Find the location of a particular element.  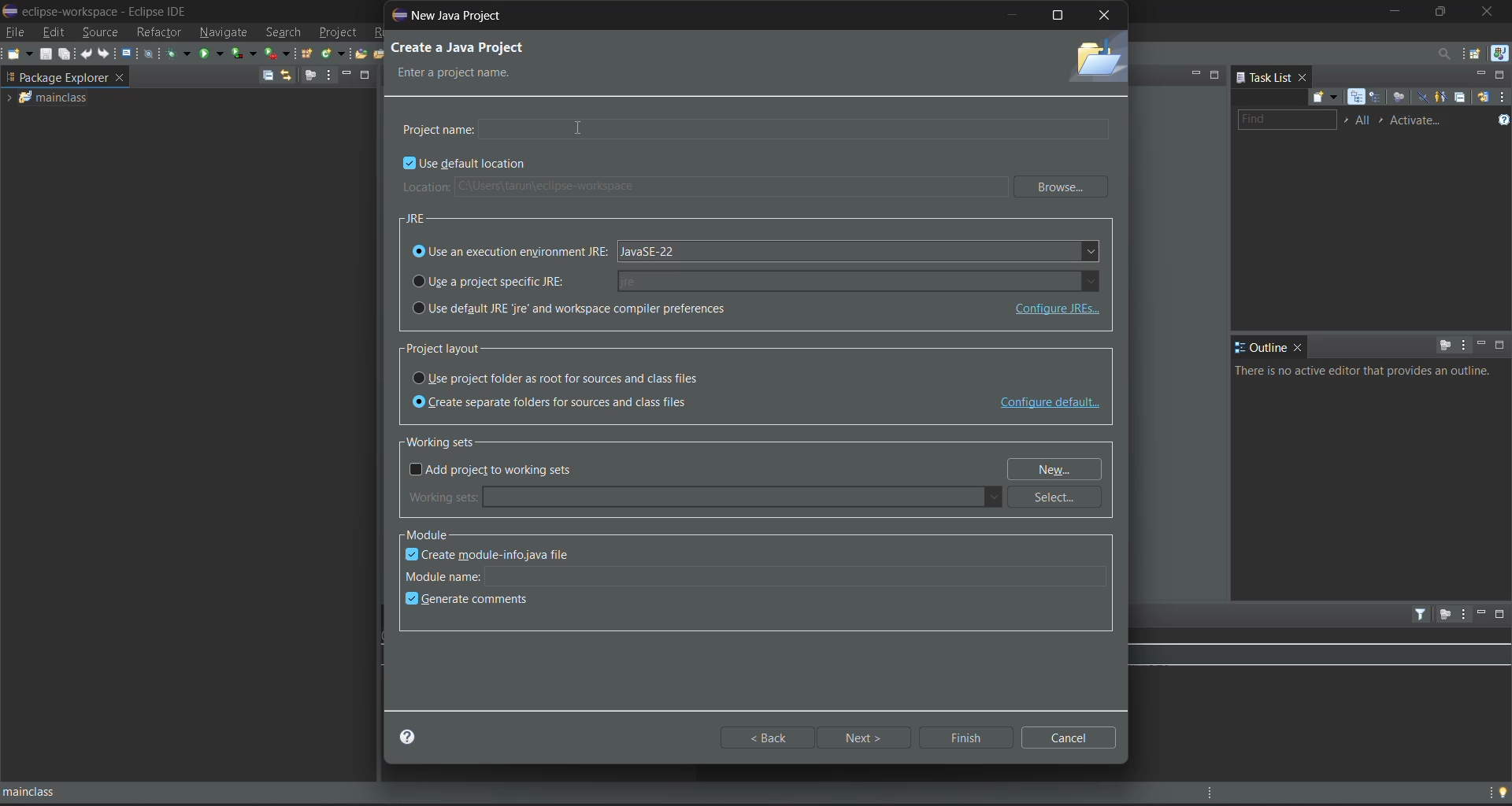

activate is located at coordinates (1420, 121).